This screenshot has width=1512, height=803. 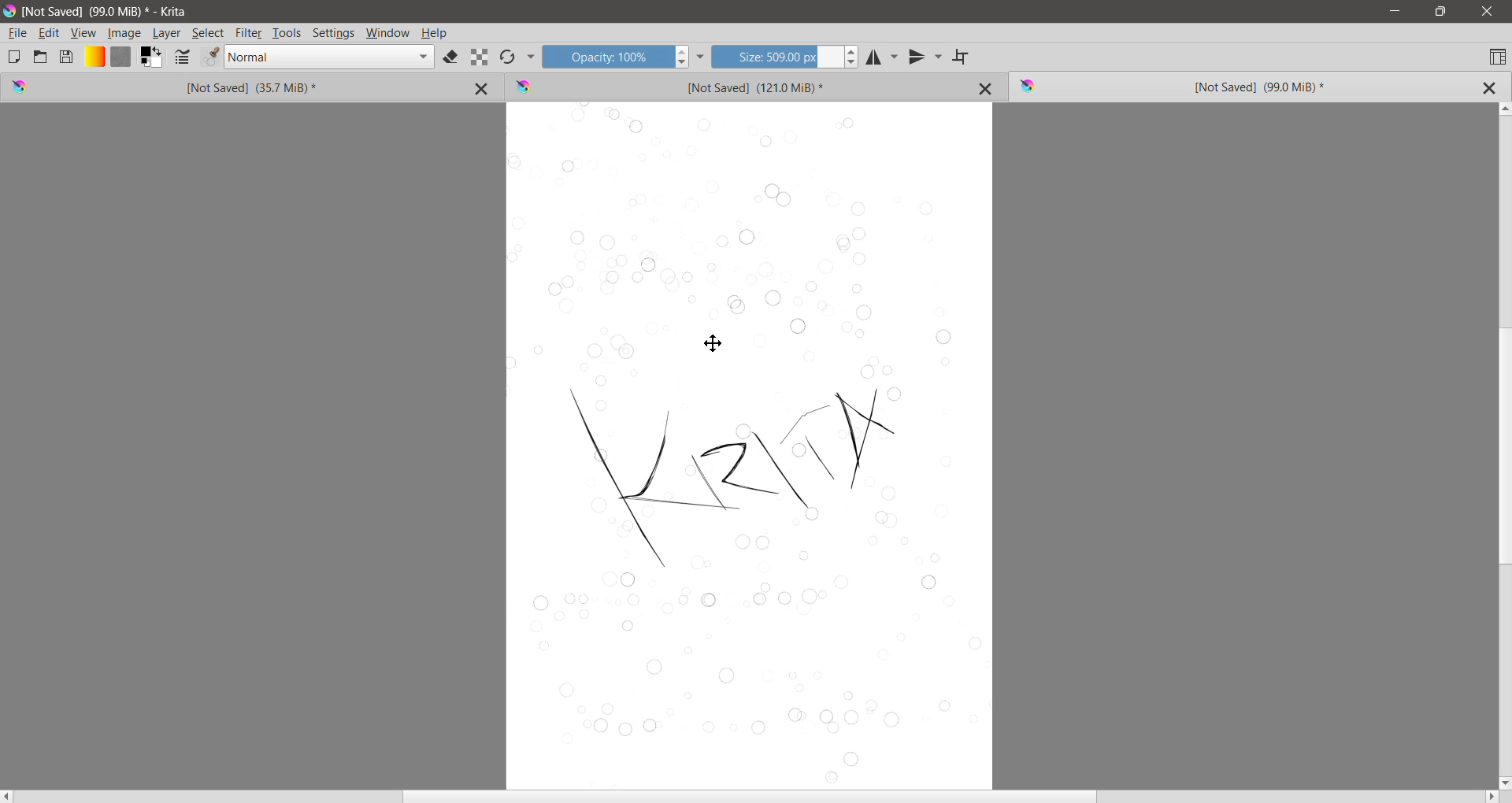 What do you see at coordinates (1440, 12) in the screenshot?
I see `Restore Down` at bounding box center [1440, 12].